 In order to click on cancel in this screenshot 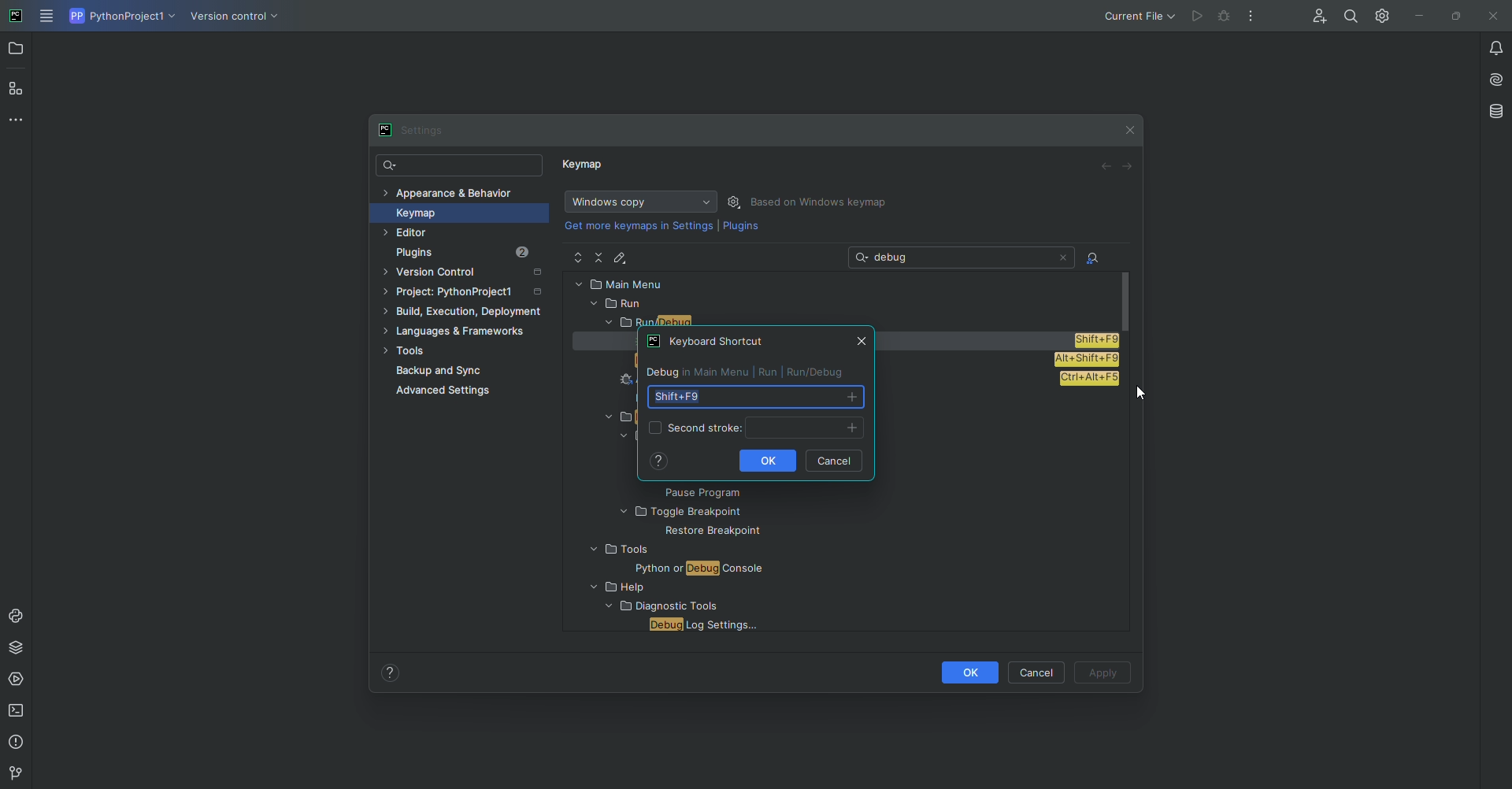, I will do `click(835, 461)`.